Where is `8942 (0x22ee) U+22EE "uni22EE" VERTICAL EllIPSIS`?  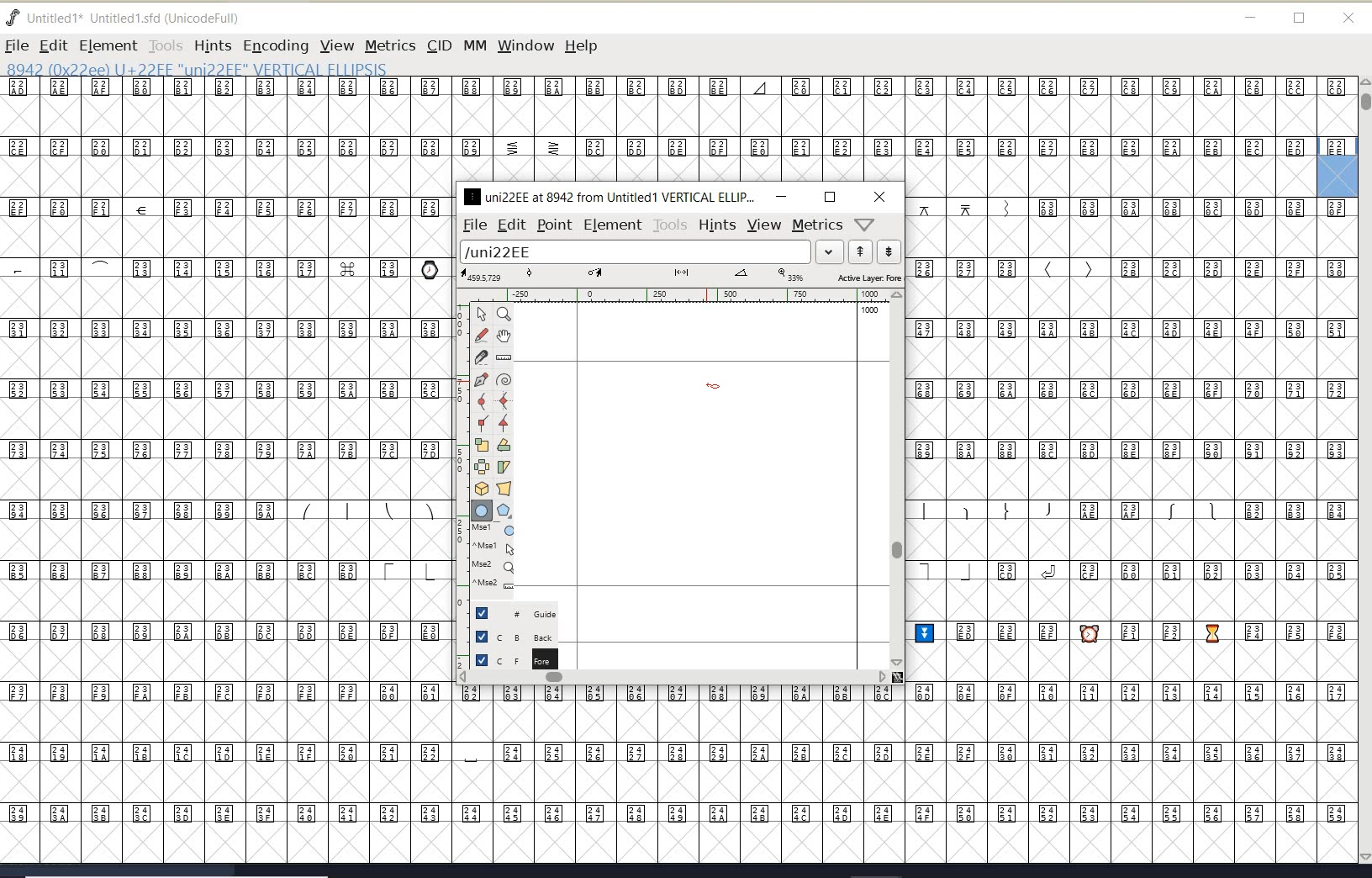
8942 (0x22ee) U+22EE "uni22EE" VERTICAL EllIPSIS is located at coordinates (252, 68).